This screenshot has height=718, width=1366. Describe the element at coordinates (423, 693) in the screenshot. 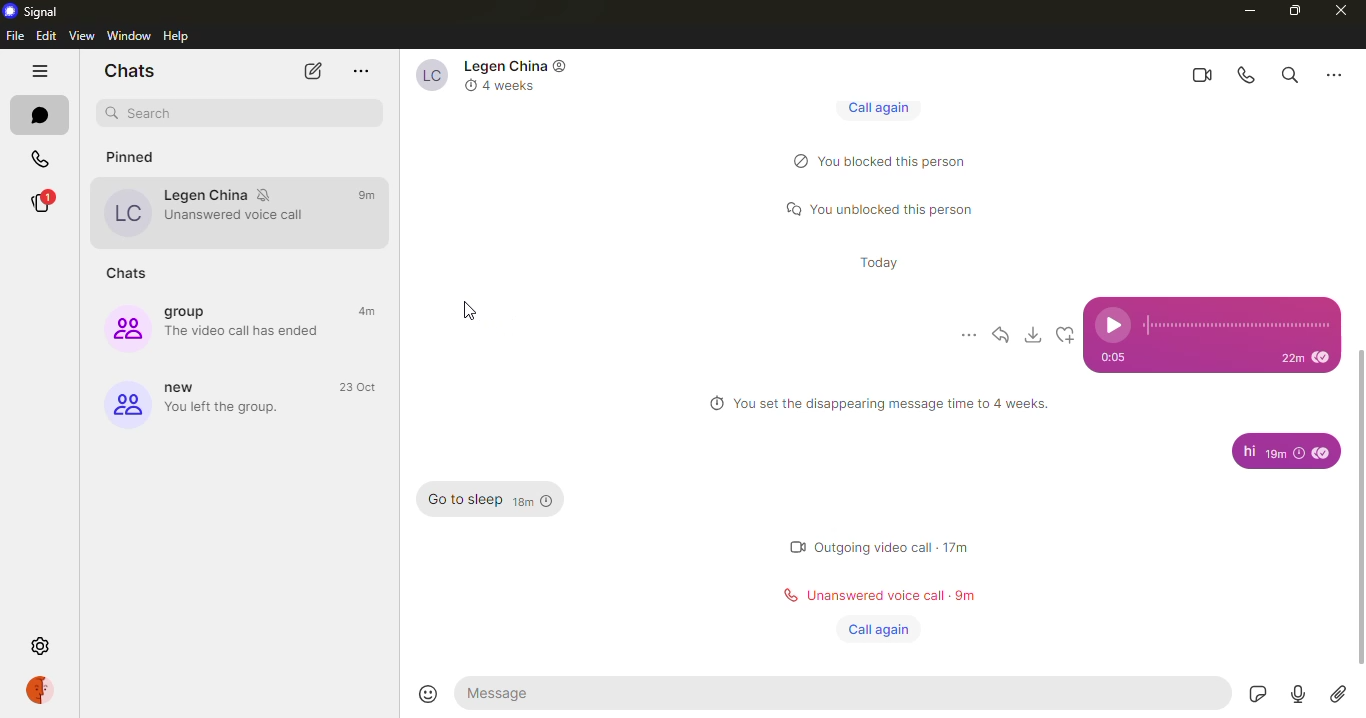

I see `emoji` at that location.